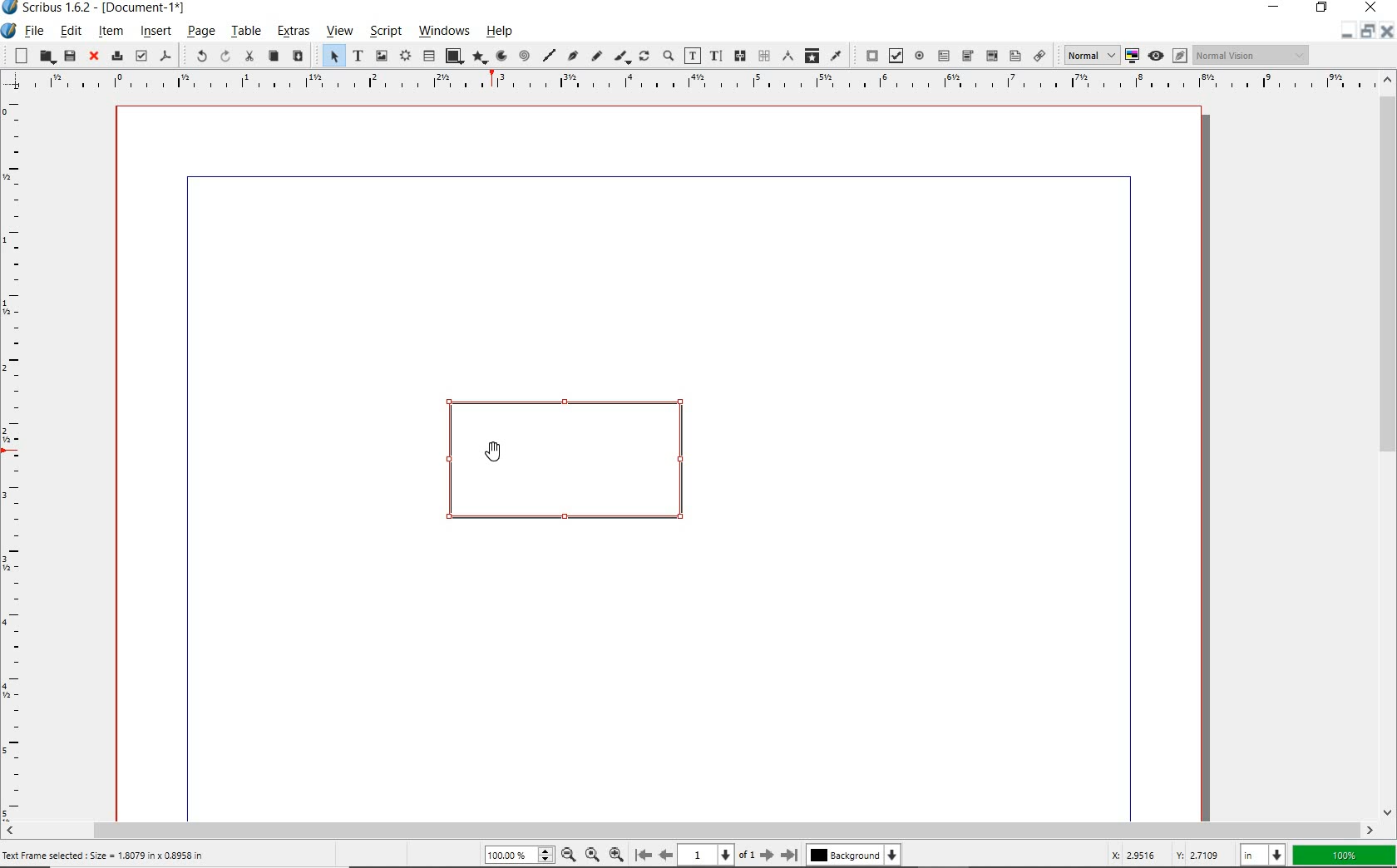  What do you see at coordinates (34, 31) in the screenshot?
I see `file` at bounding box center [34, 31].